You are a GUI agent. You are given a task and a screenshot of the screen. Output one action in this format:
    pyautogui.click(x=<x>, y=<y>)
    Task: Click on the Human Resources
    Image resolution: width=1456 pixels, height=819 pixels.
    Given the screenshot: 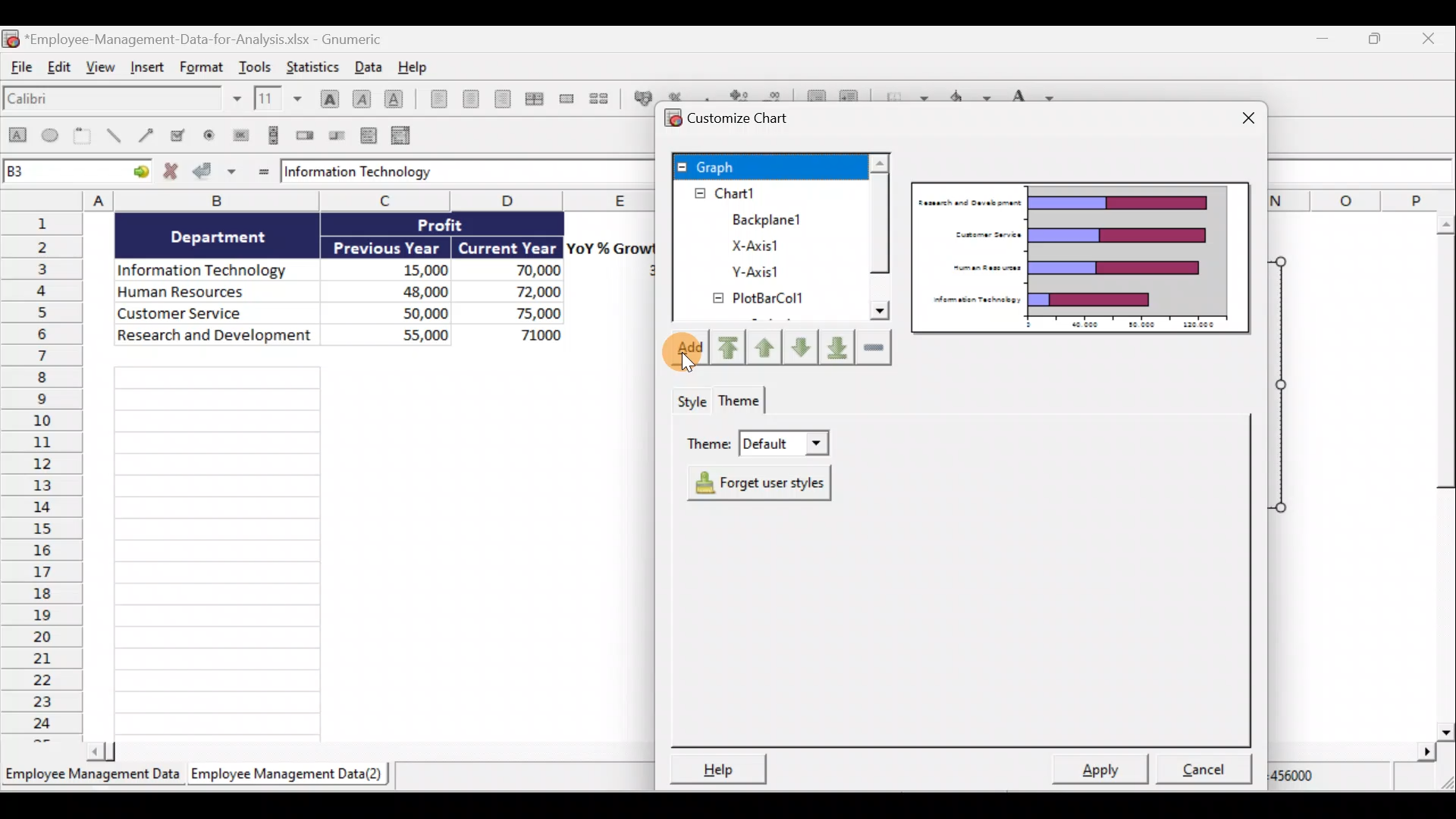 What is the action you would take?
    pyautogui.click(x=211, y=293)
    